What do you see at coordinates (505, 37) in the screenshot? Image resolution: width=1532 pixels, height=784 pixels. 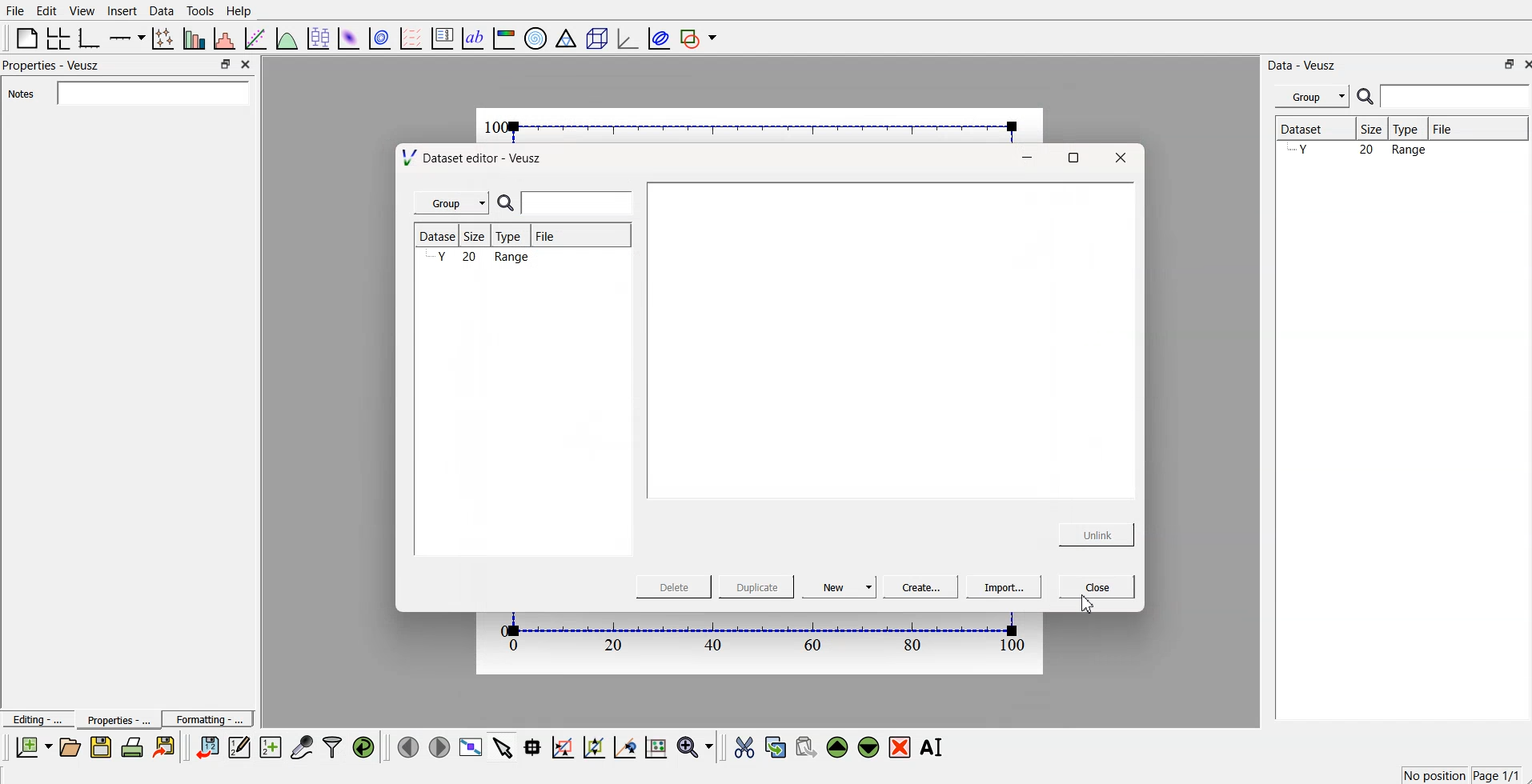 I see `image color bar` at bounding box center [505, 37].